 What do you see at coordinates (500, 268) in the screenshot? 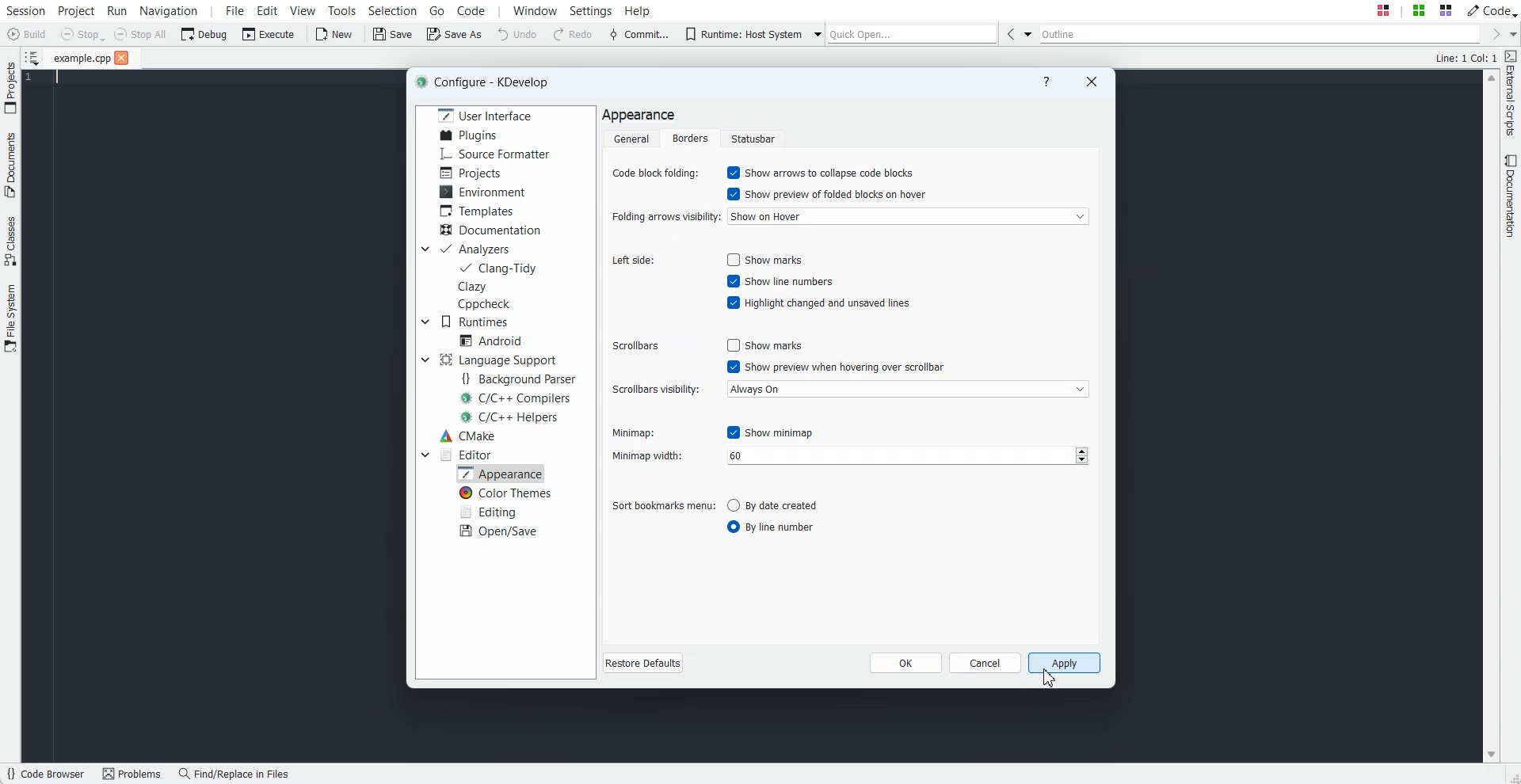
I see `Clang-Tidy` at bounding box center [500, 268].